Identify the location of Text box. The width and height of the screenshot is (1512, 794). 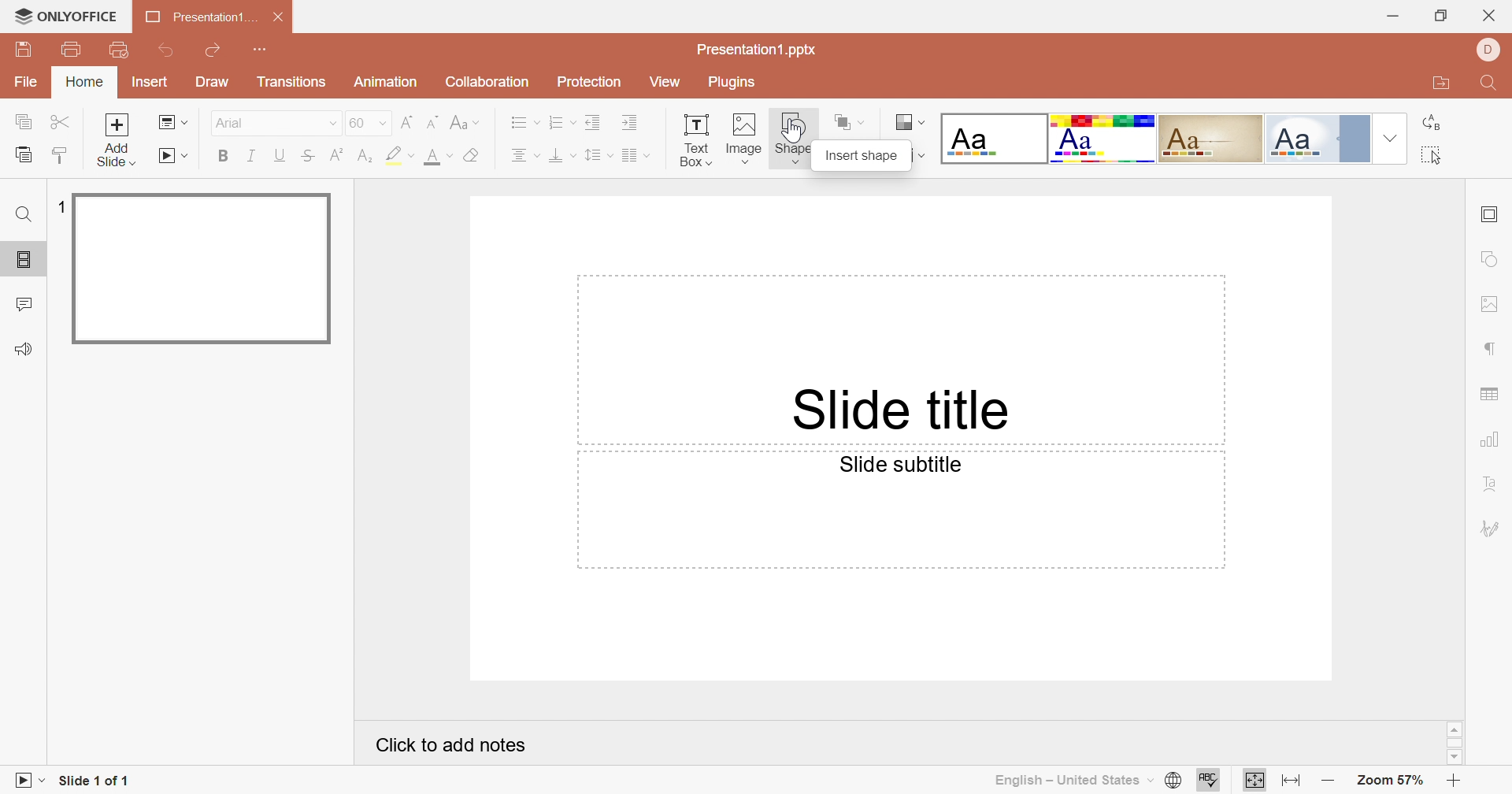
(695, 141).